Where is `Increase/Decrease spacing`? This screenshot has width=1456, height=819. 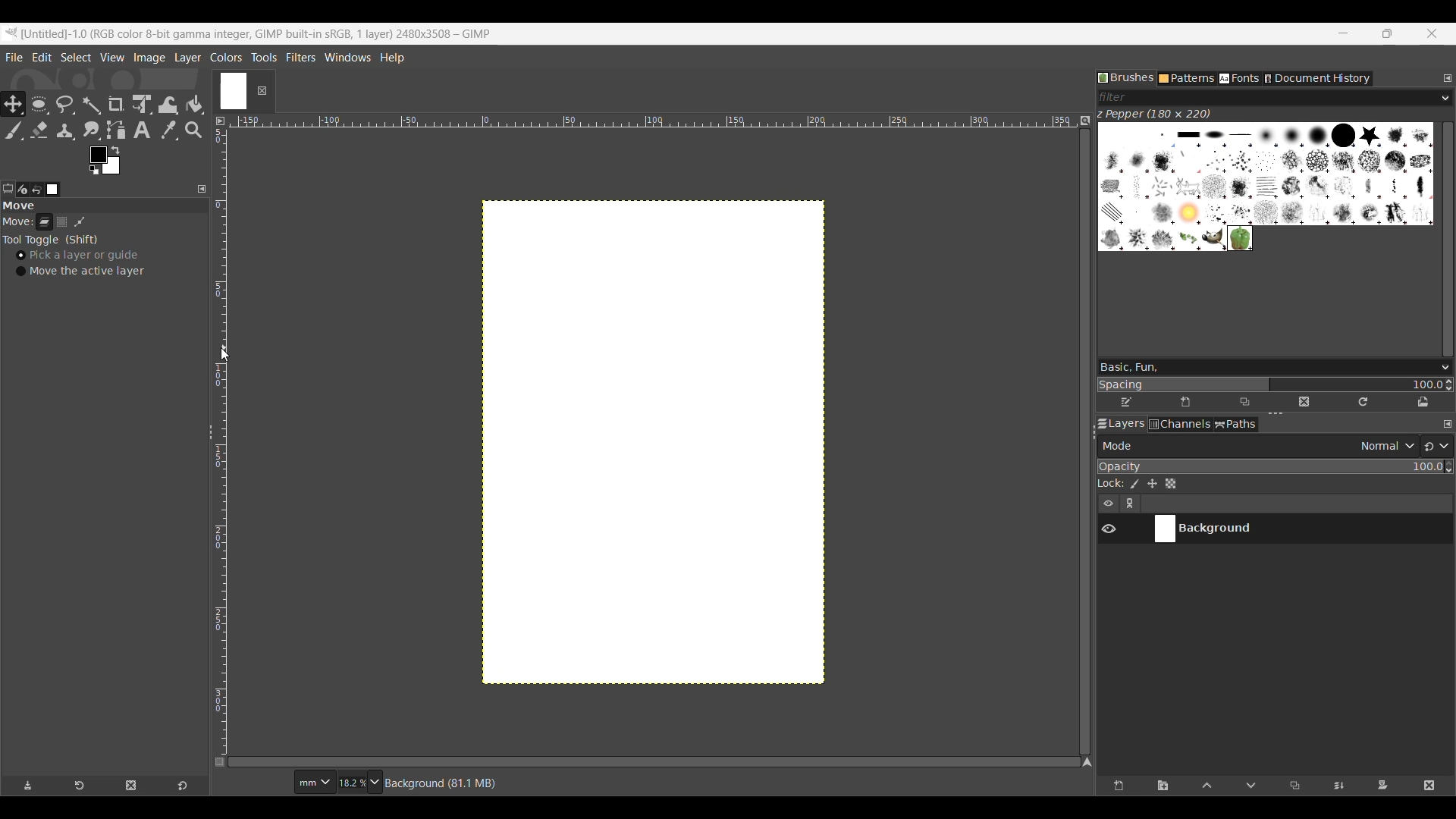
Increase/Decrease spacing is located at coordinates (1449, 385).